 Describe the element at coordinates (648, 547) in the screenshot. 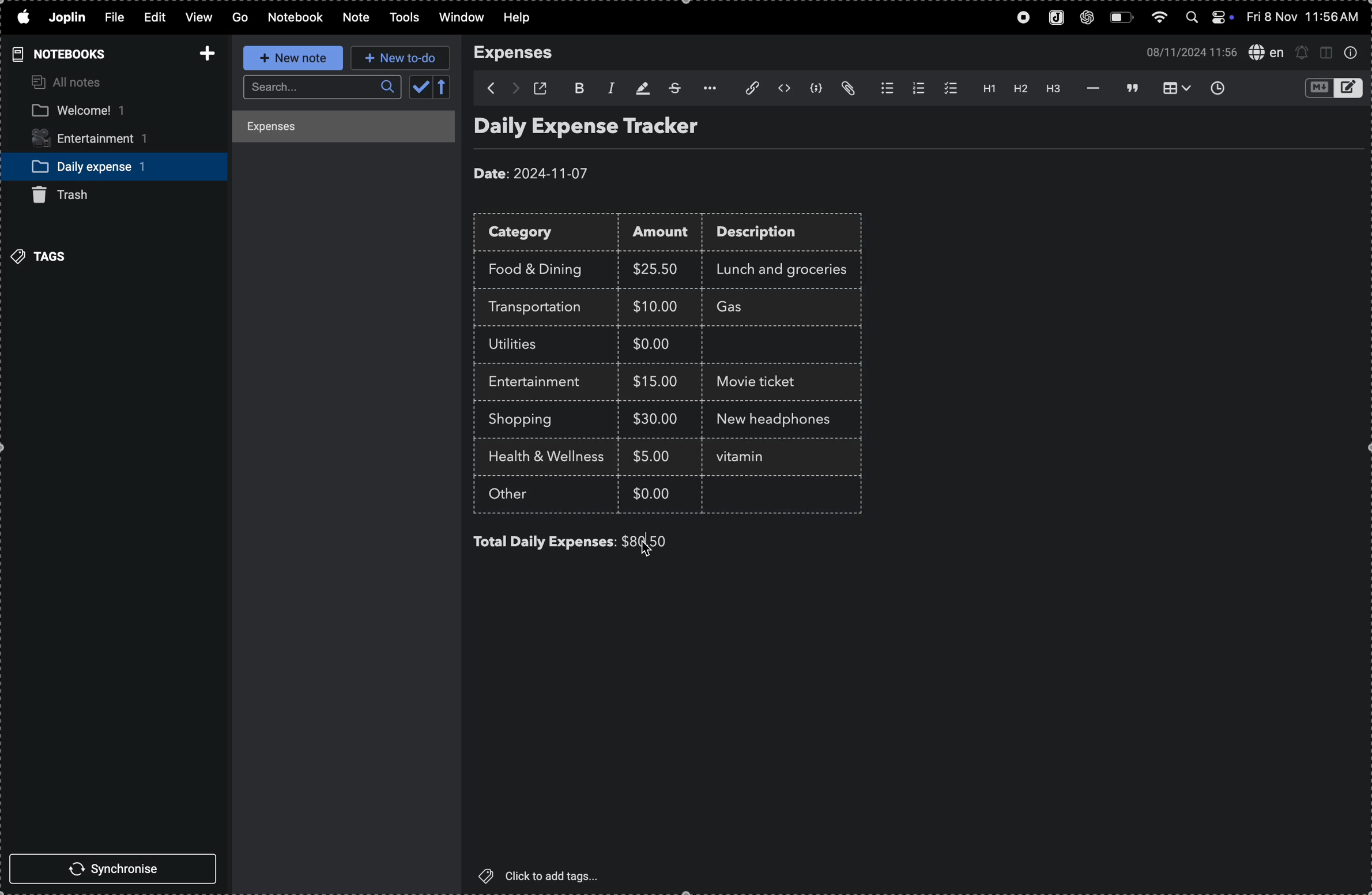

I see `cursor` at that location.